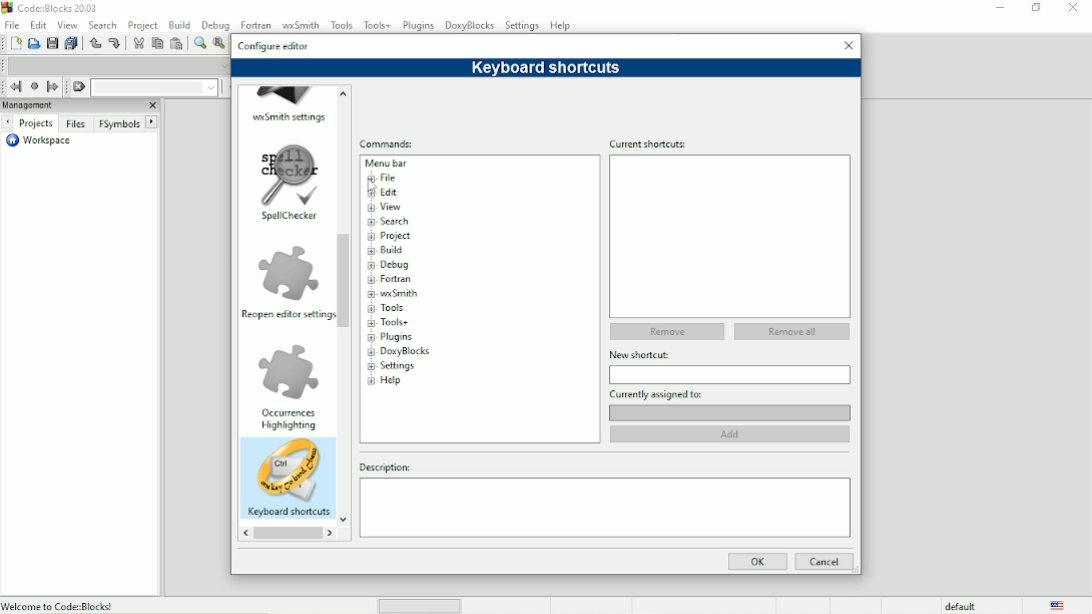  I want to click on Configure editor, so click(274, 44).